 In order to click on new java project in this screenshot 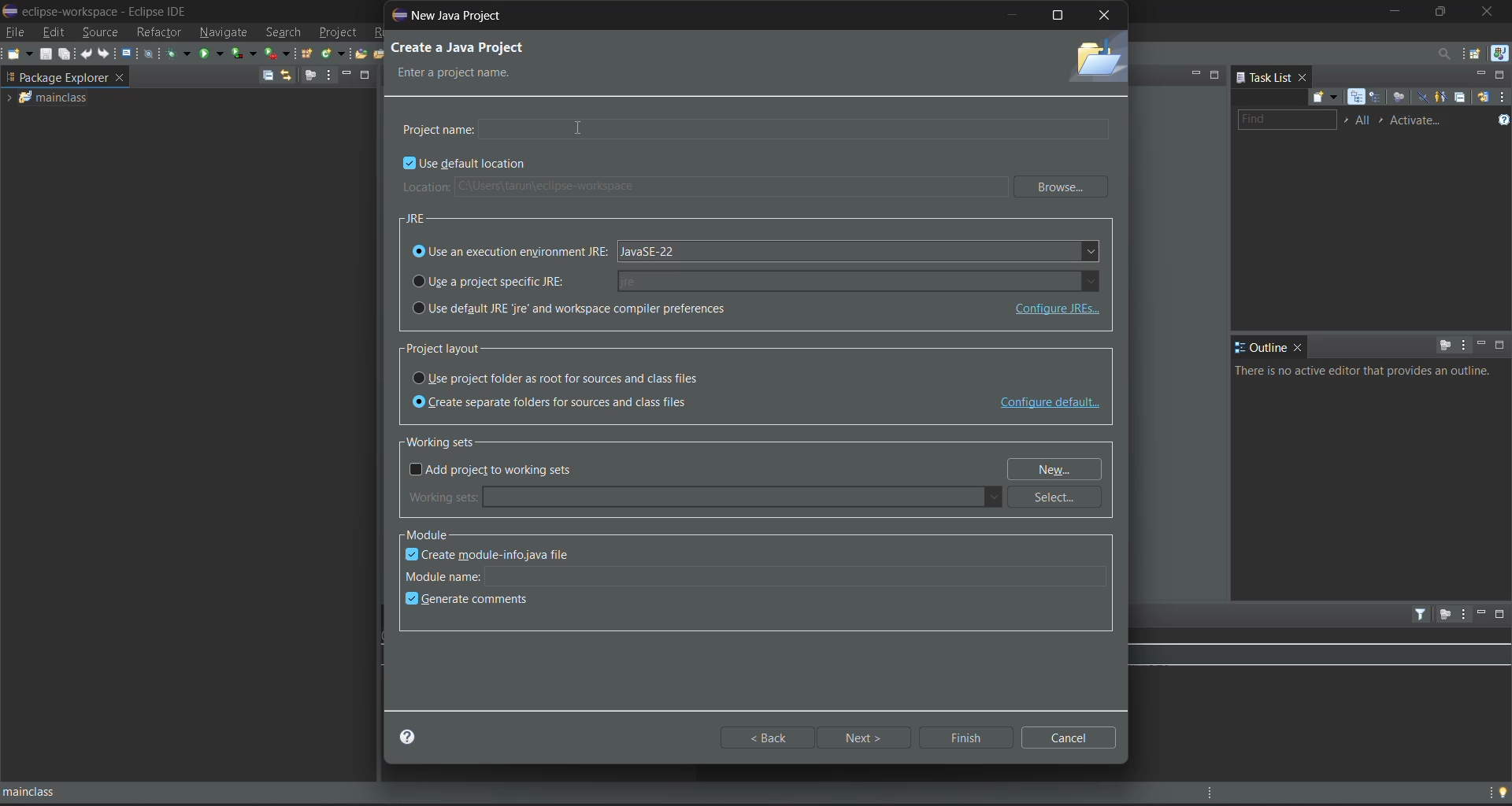, I will do `click(458, 15)`.